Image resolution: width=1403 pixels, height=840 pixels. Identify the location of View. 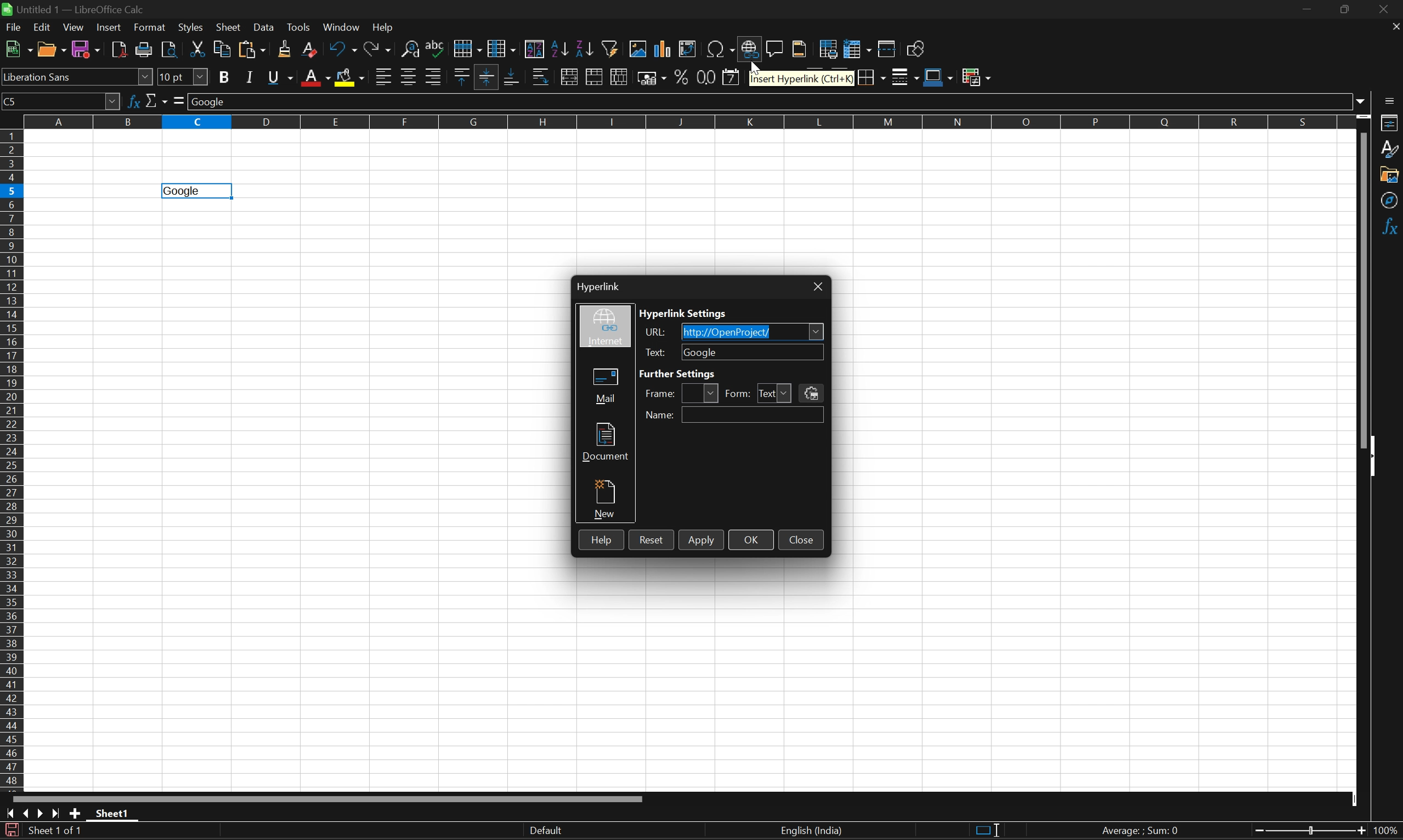
(73, 28).